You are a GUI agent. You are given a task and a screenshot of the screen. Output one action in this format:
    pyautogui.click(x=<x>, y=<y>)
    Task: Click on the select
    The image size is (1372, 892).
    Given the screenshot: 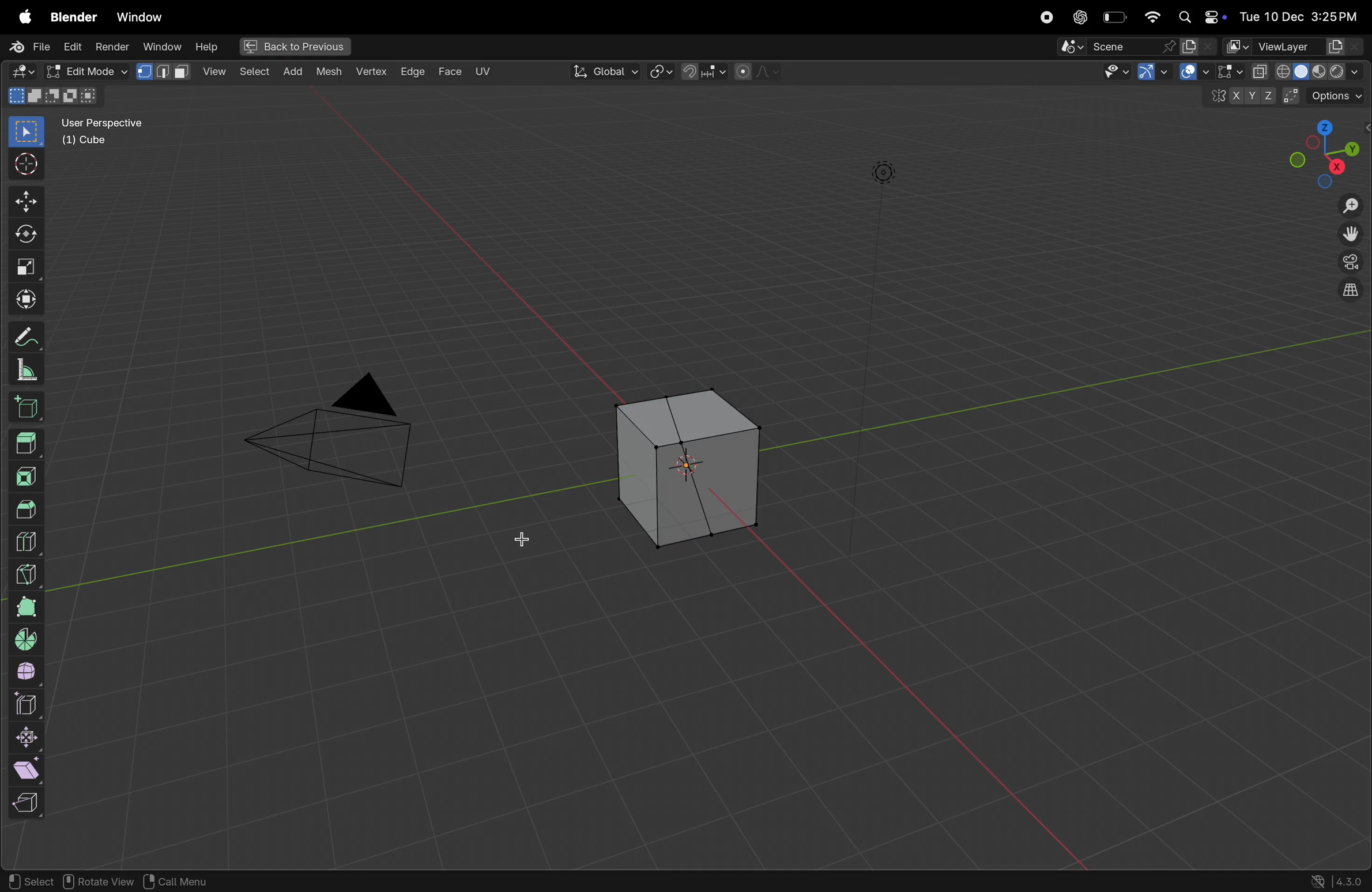 What is the action you would take?
    pyautogui.click(x=29, y=878)
    